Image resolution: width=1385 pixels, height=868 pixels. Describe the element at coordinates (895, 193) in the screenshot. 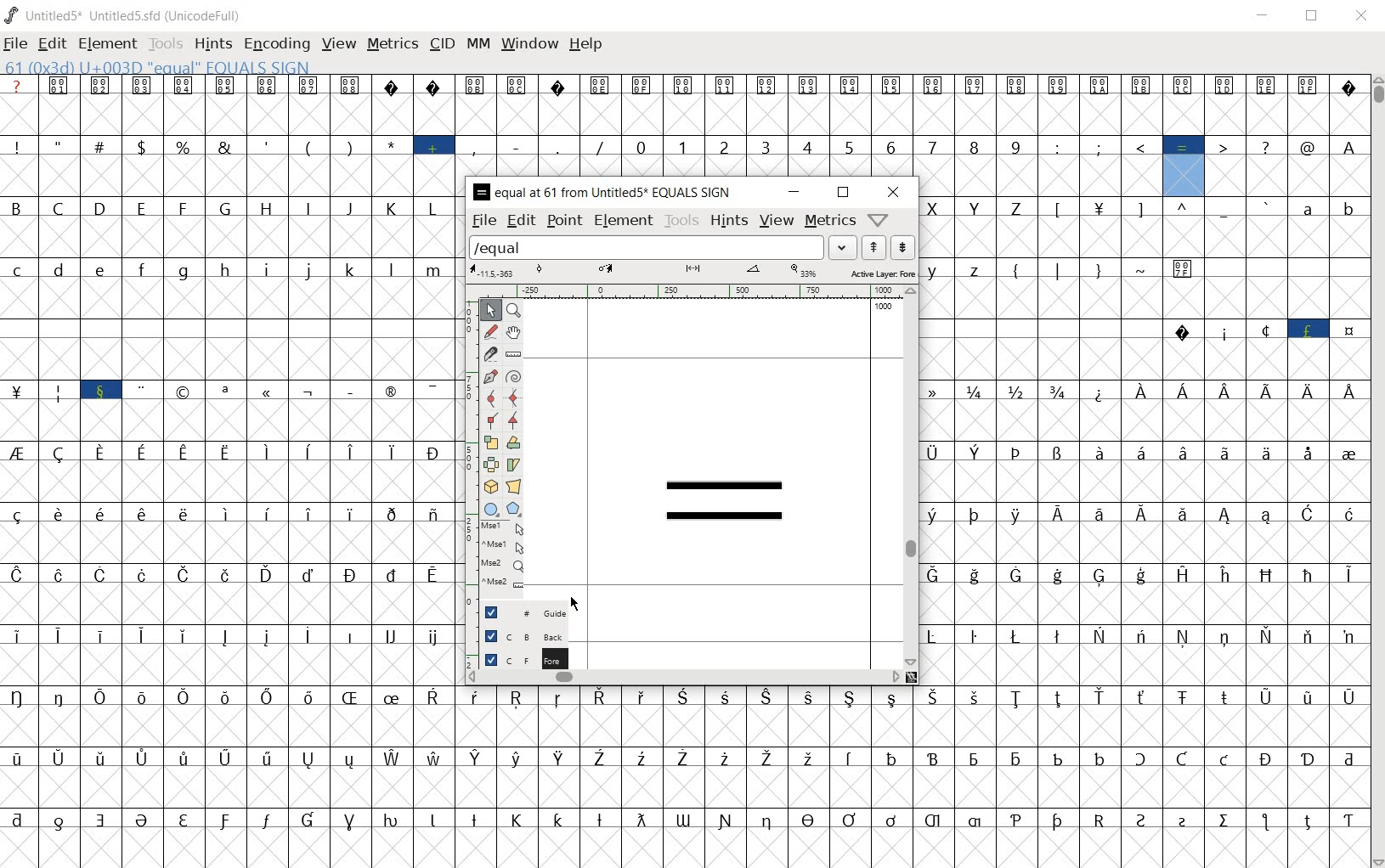

I see `close` at that location.